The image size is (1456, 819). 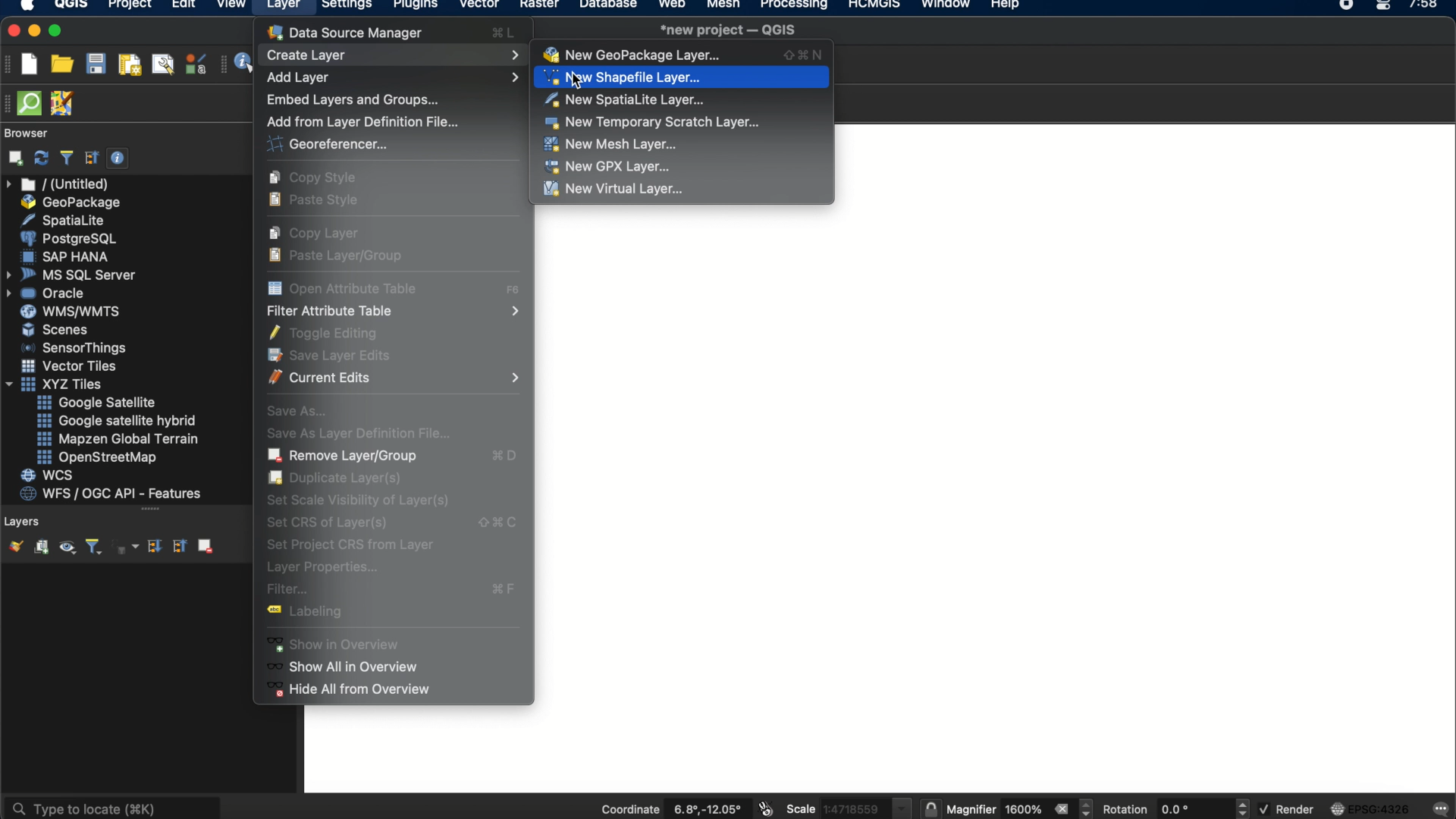 What do you see at coordinates (394, 55) in the screenshot?
I see `create layer` at bounding box center [394, 55].